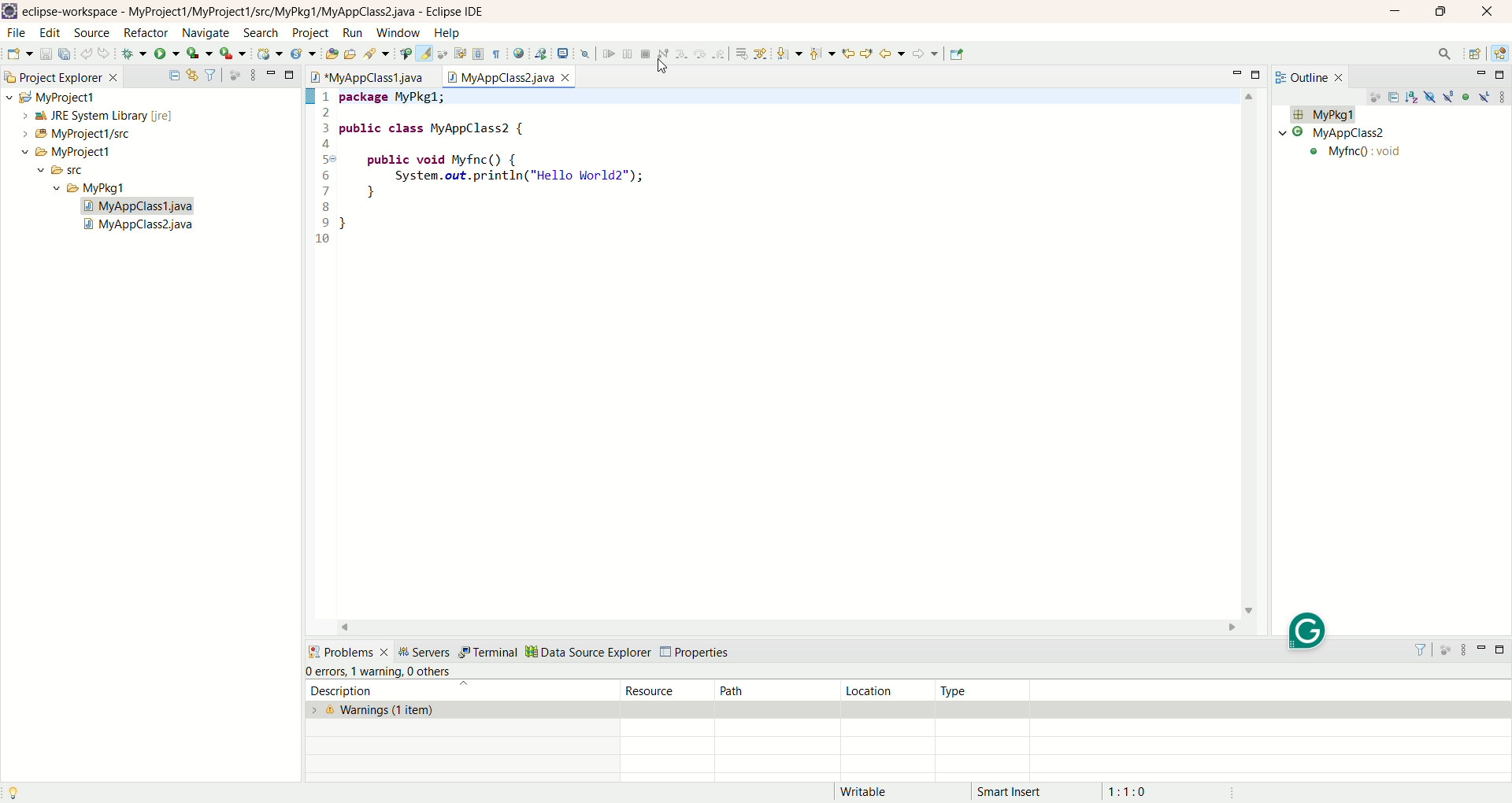 The image size is (1512, 803). Describe the element at coordinates (822, 54) in the screenshot. I see `previous annotation` at that location.